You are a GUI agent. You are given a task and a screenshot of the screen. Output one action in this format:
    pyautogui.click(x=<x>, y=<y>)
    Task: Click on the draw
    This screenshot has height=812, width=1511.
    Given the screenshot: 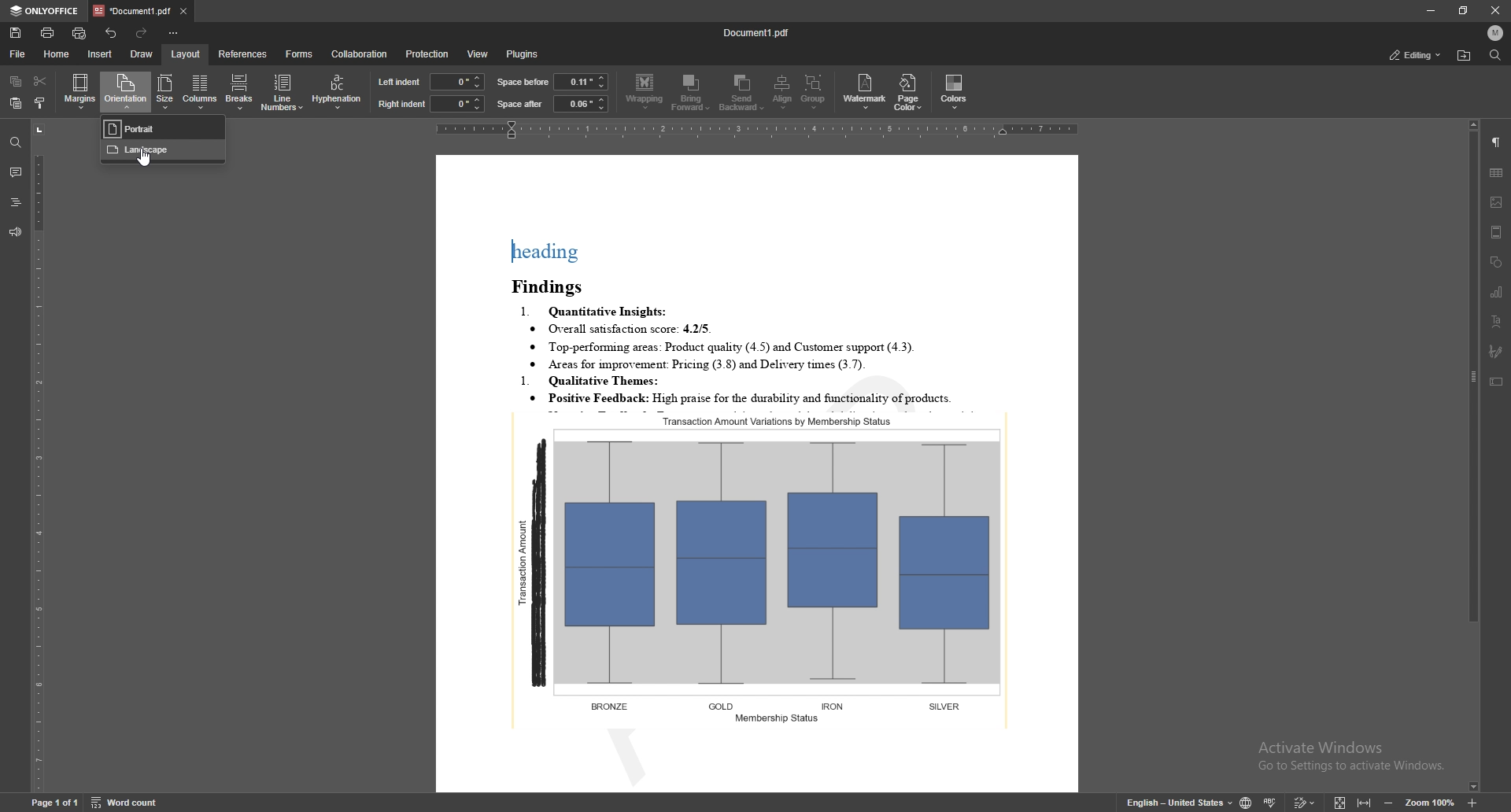 What is the action you would take?
    pyautogui.click(x=142, y=54)
    